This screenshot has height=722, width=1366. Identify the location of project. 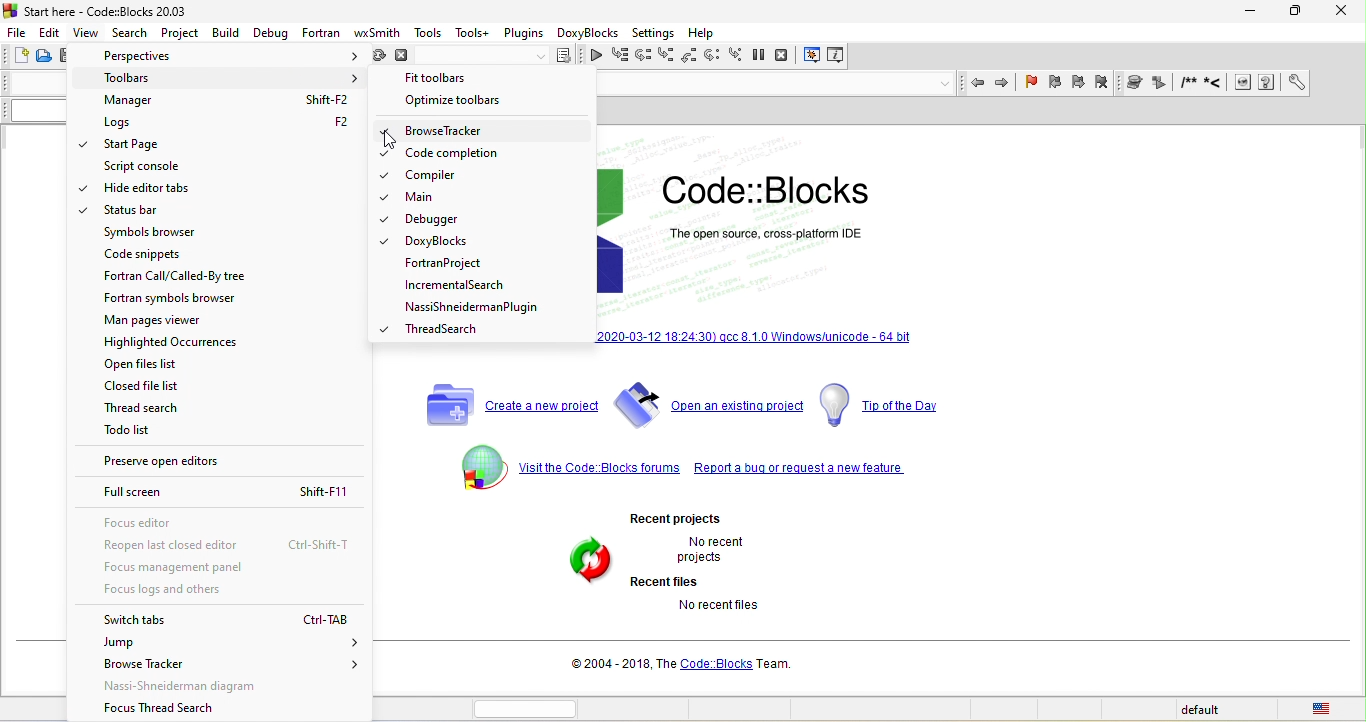
(179, 31).